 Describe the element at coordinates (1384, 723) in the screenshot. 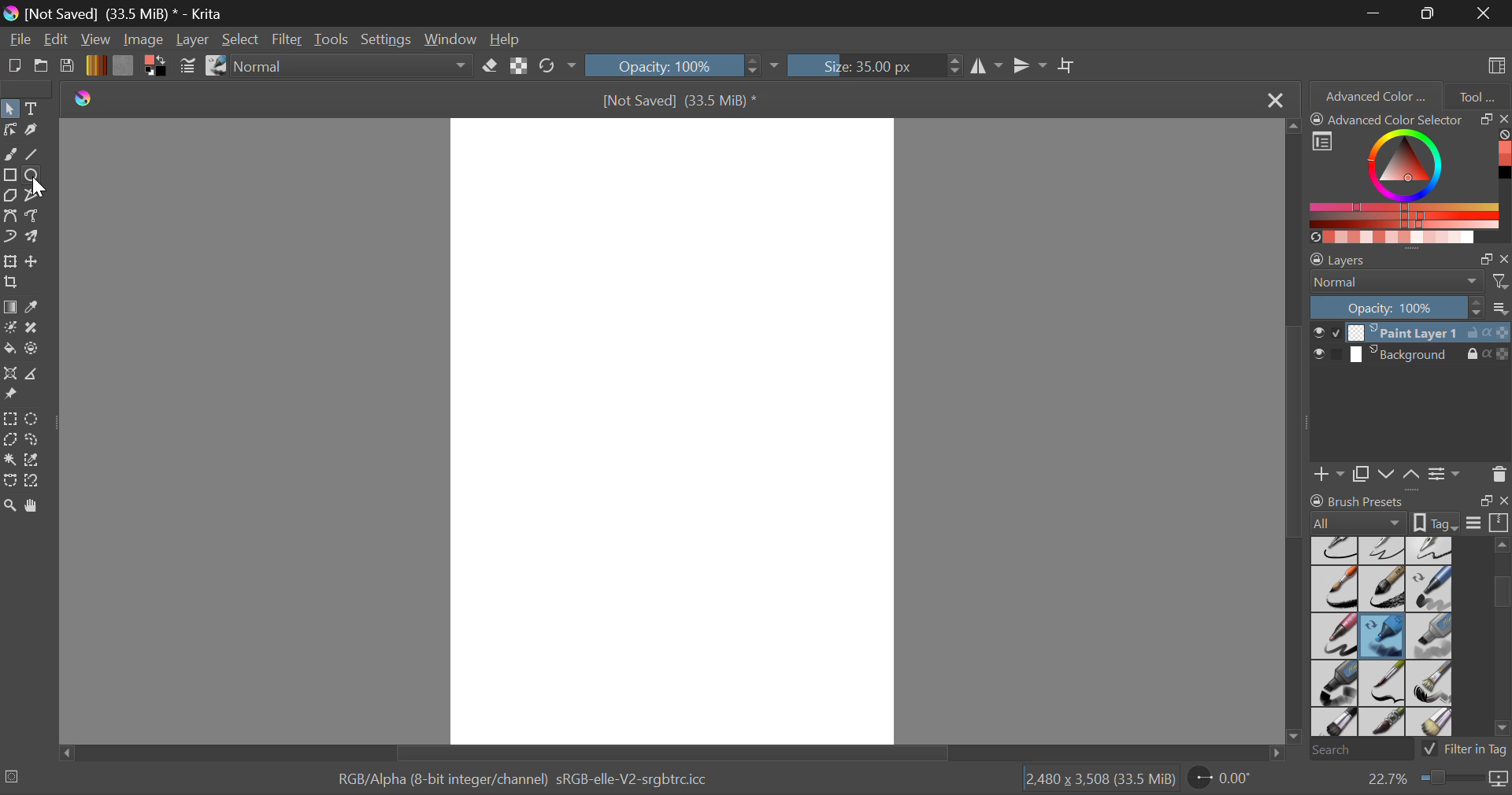

I see `Bristles-4 Glaze` at that location.